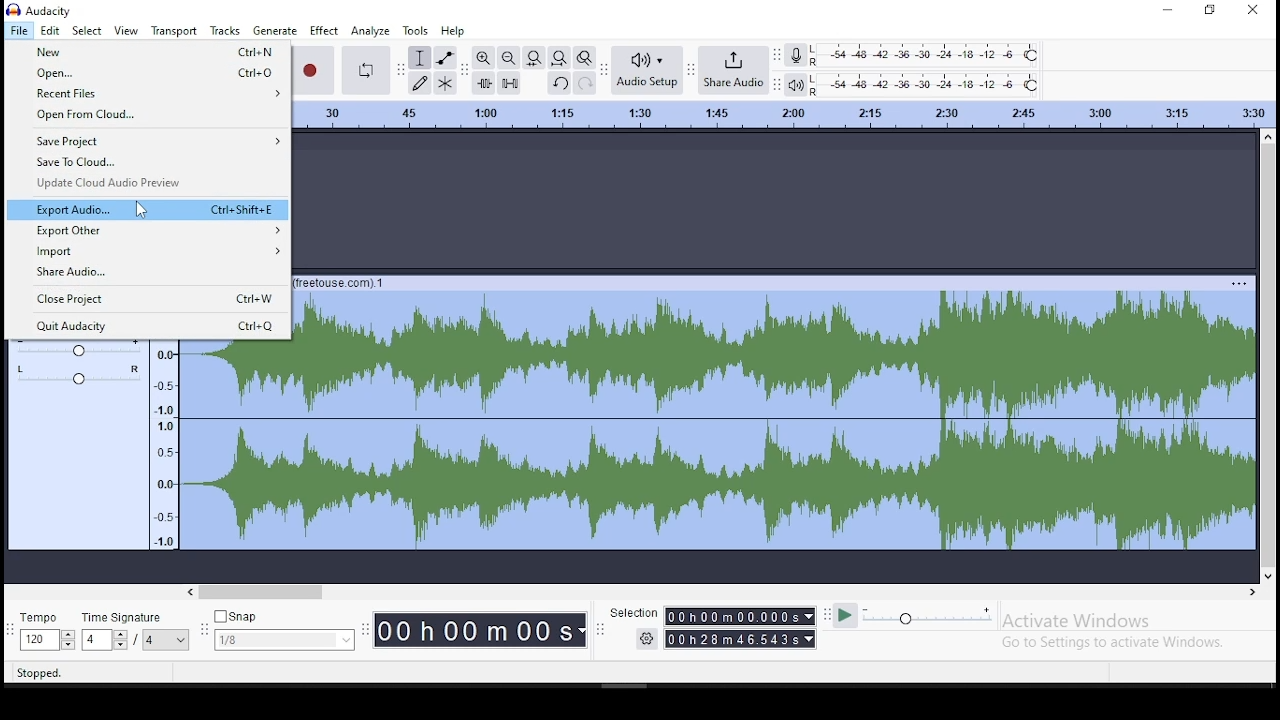  I want to click on scroll bar, so click(1267, 355).